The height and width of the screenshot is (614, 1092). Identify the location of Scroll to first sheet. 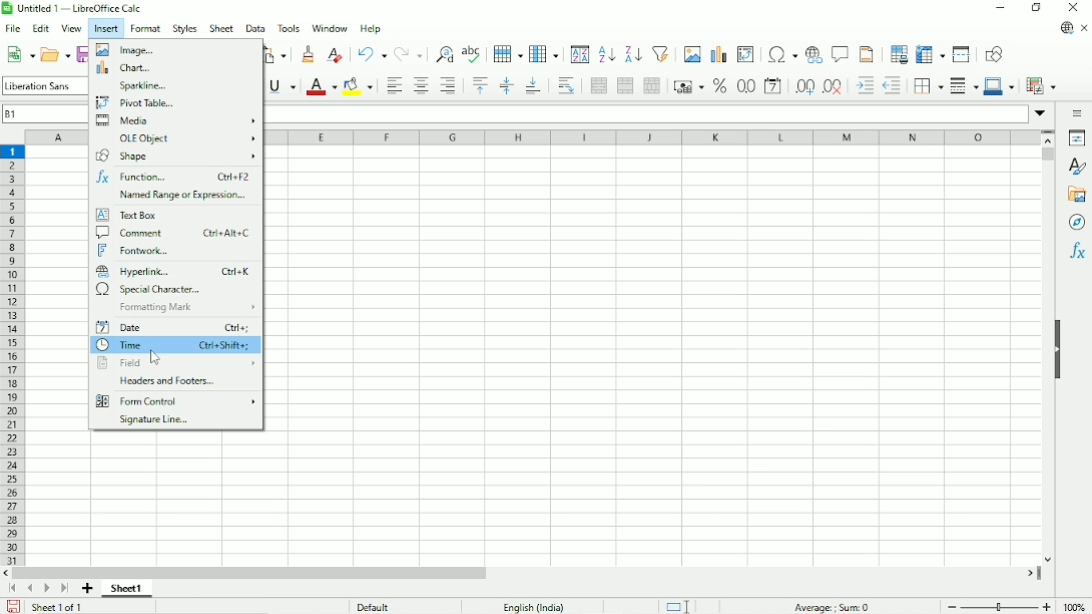
(13, 588).